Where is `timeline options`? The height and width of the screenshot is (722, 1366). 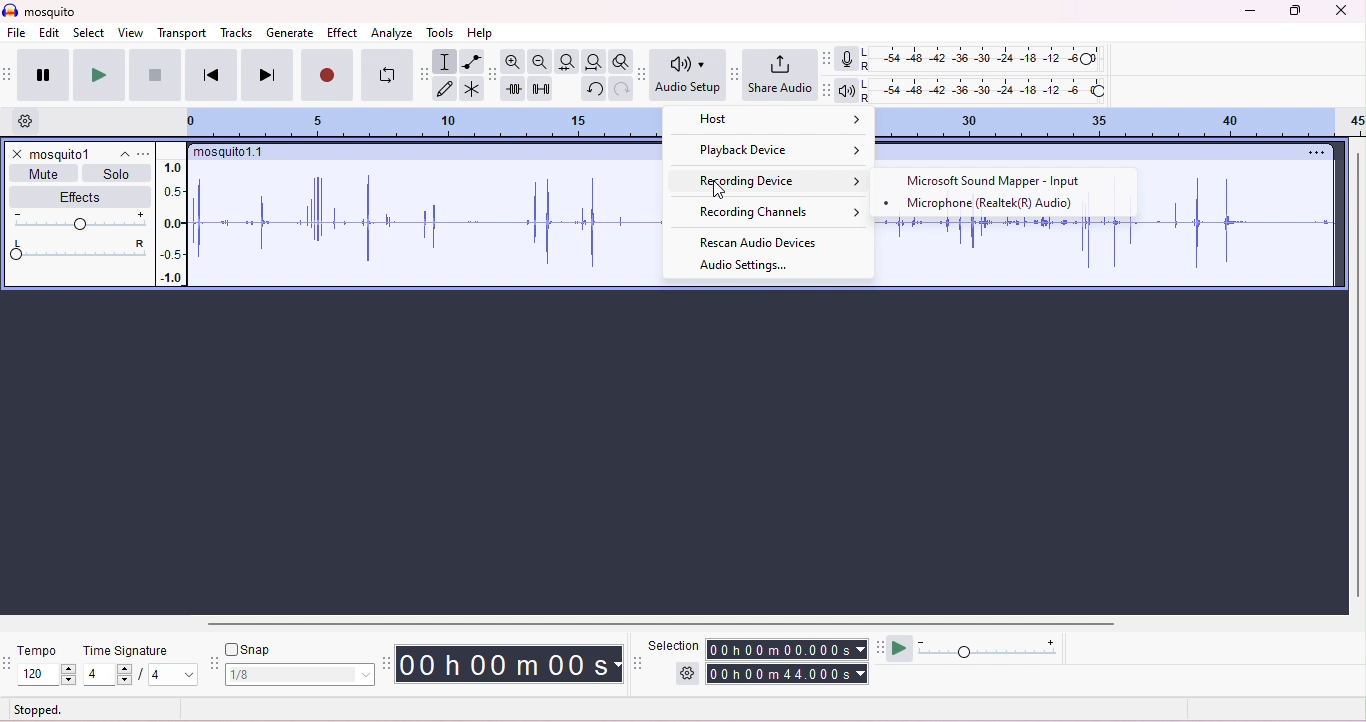
timeline options is located at coordinates (28, 121).